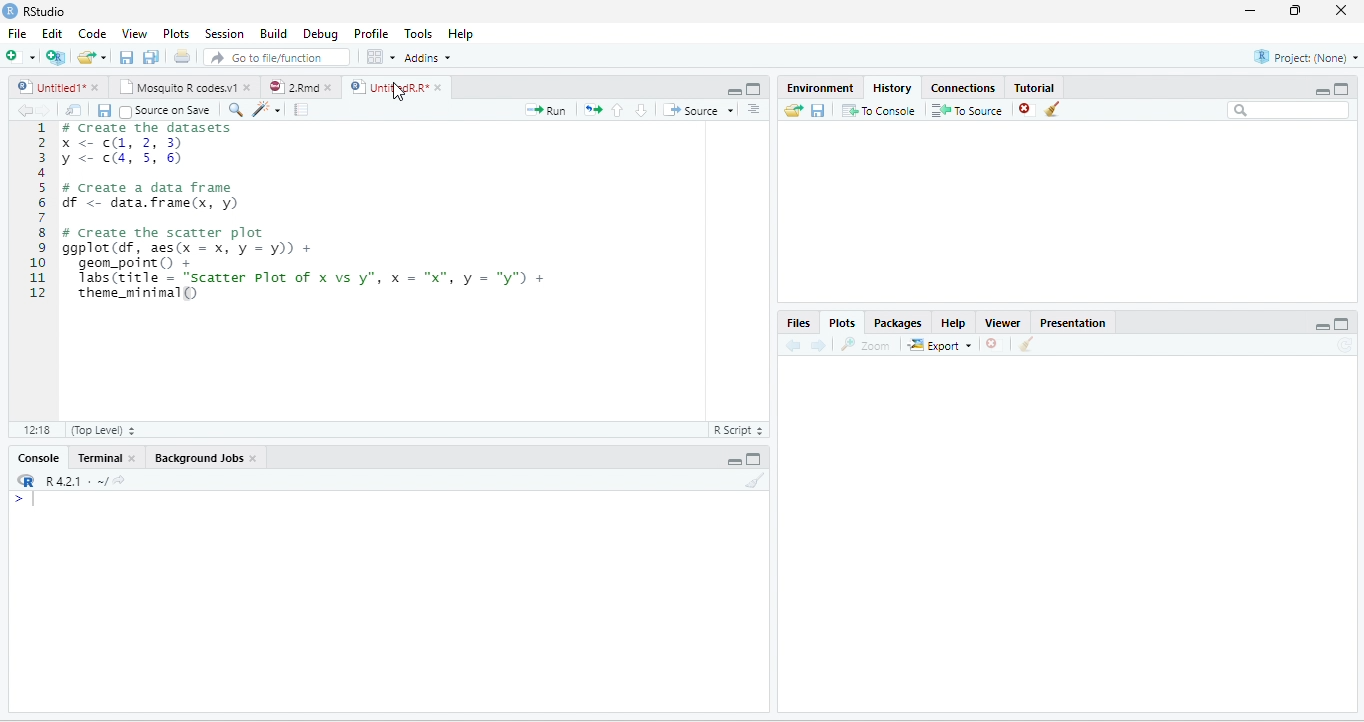  I want to click on UntitledR.R*, so click(387, 87).